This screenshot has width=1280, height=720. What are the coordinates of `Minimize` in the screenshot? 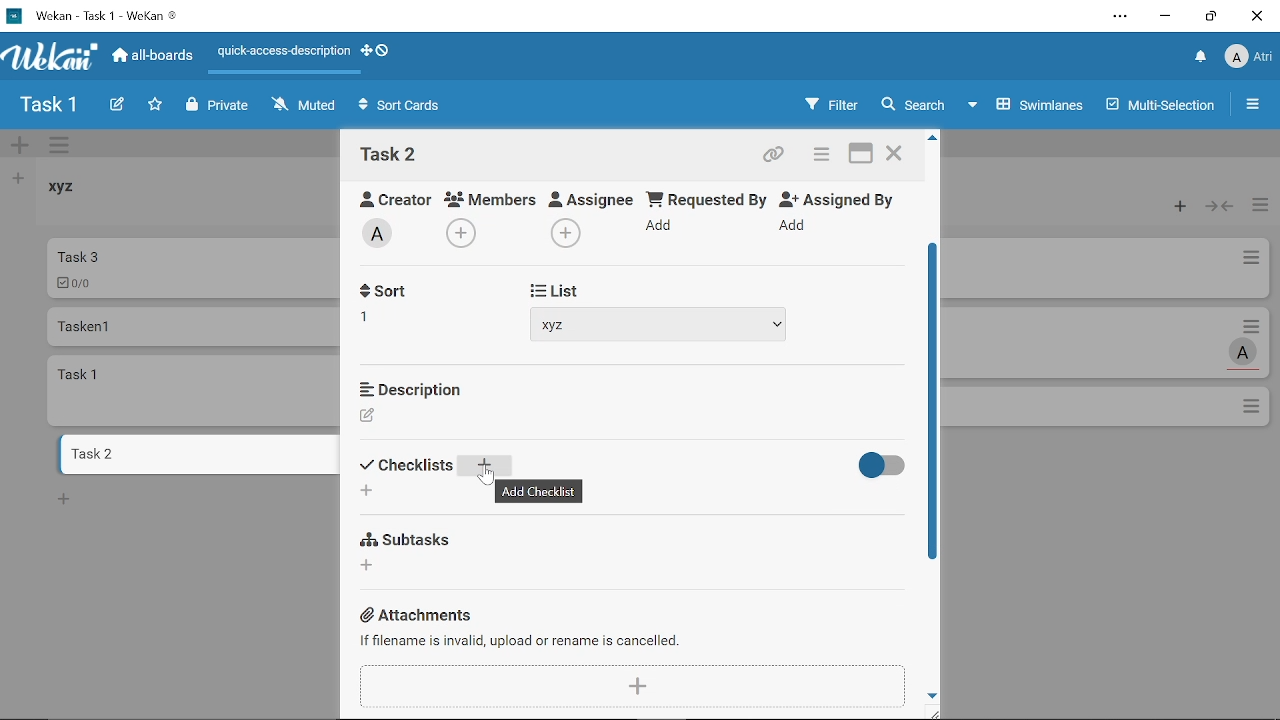 It's located at (1166, 19).